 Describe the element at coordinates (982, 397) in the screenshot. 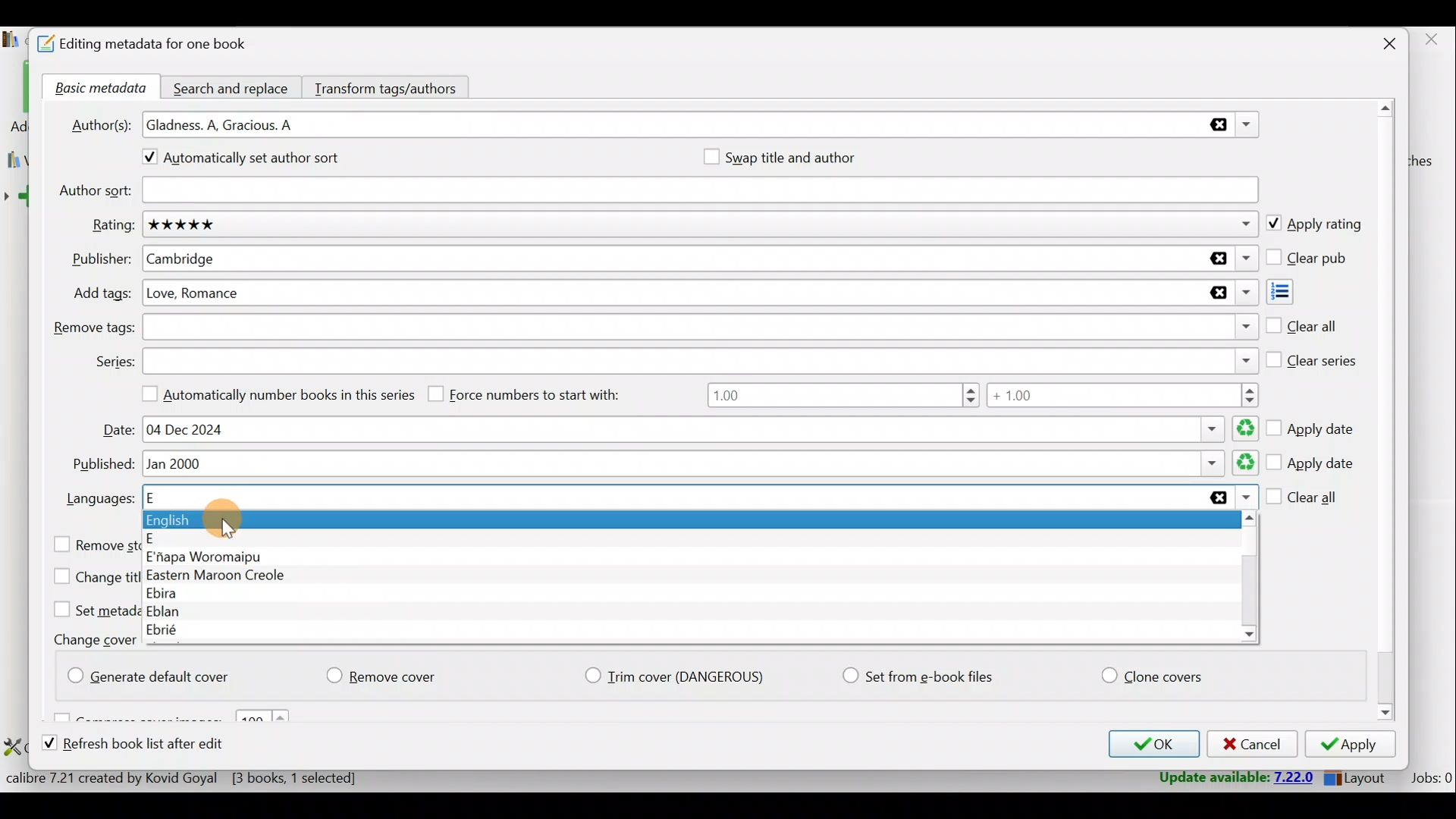

I see `Number range` at that location.